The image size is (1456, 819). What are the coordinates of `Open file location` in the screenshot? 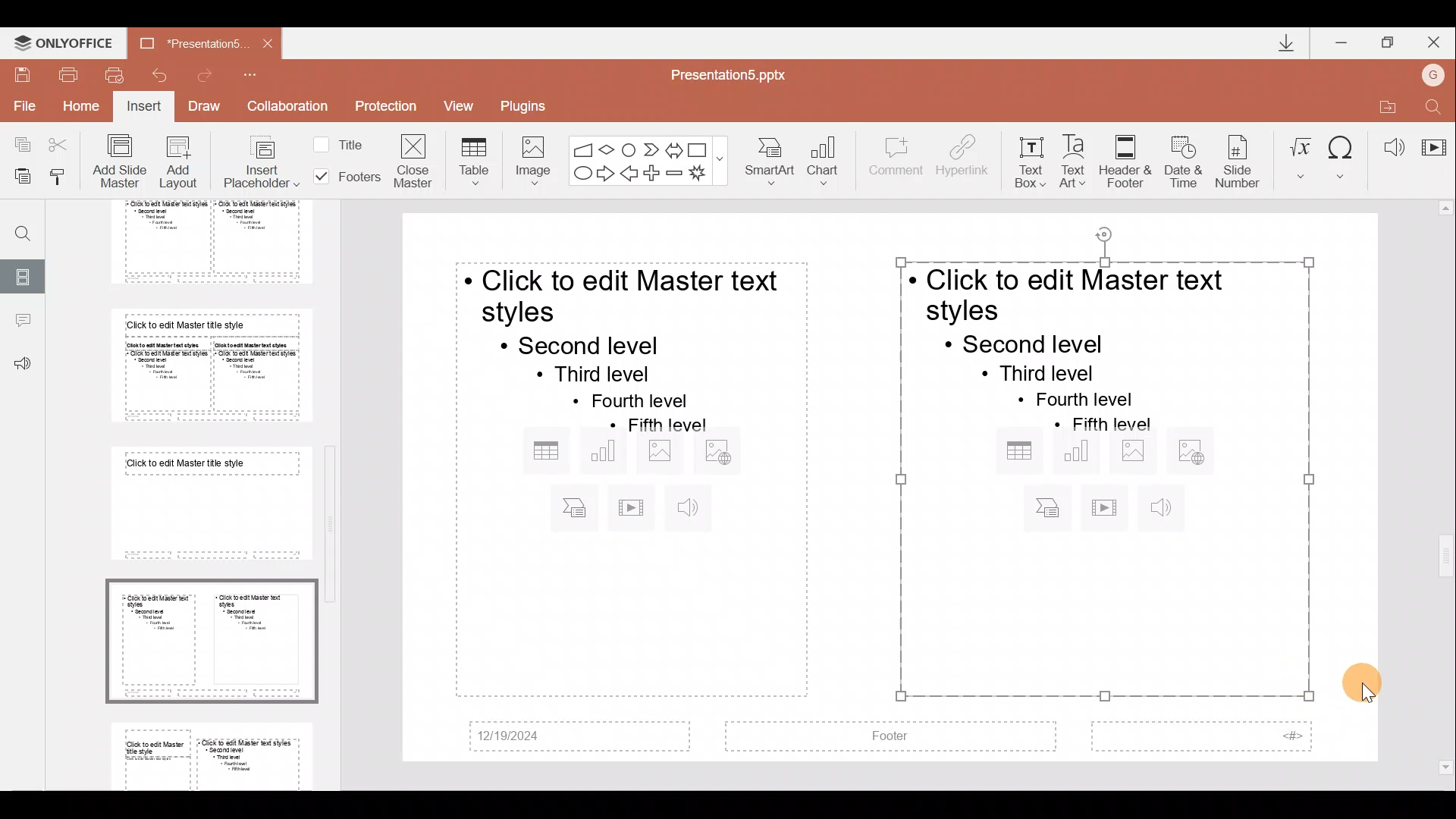 It's located at (1384, 104).